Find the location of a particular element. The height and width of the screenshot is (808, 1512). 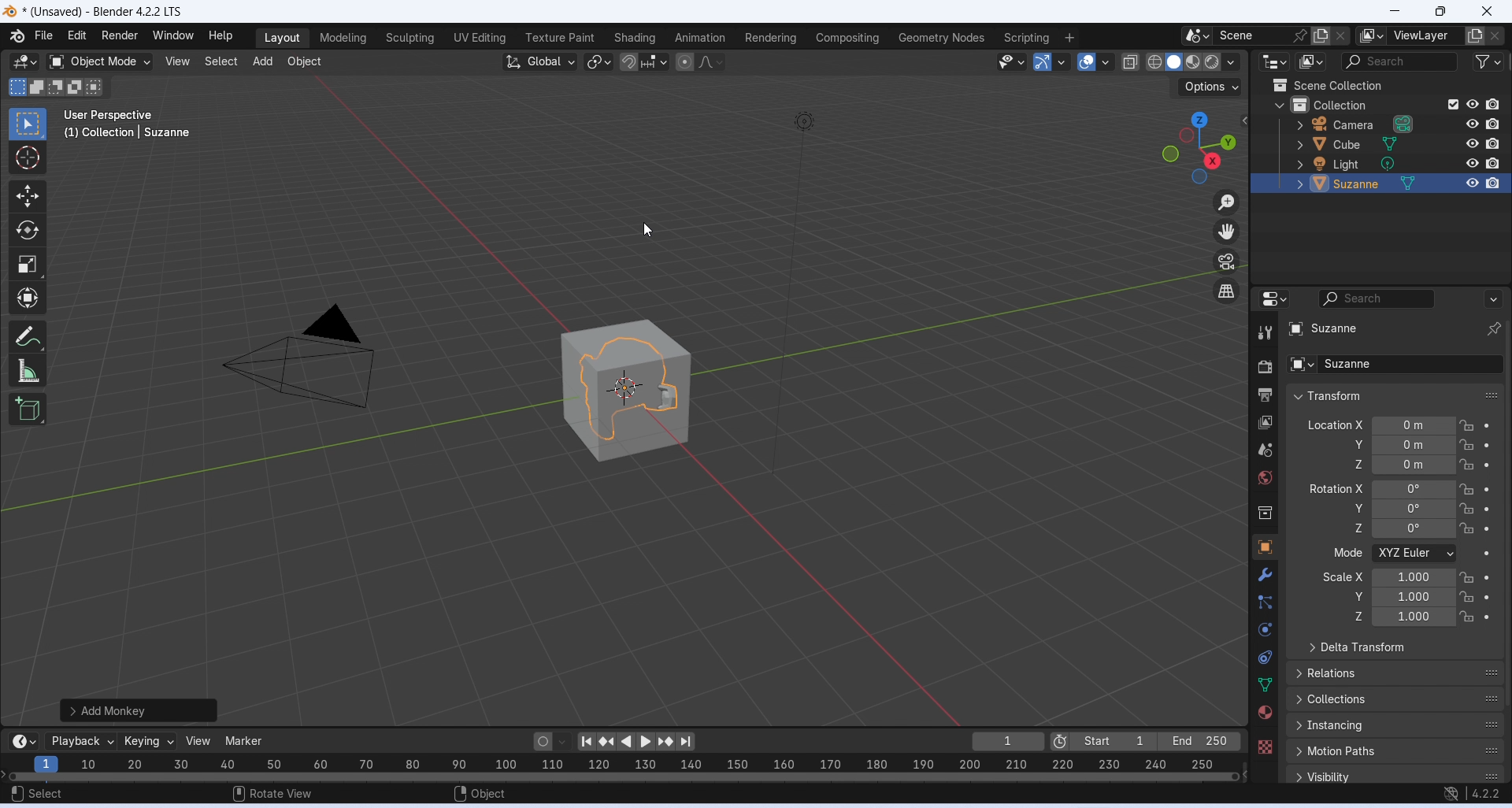

new scene is located at coordinates (1321, 36).